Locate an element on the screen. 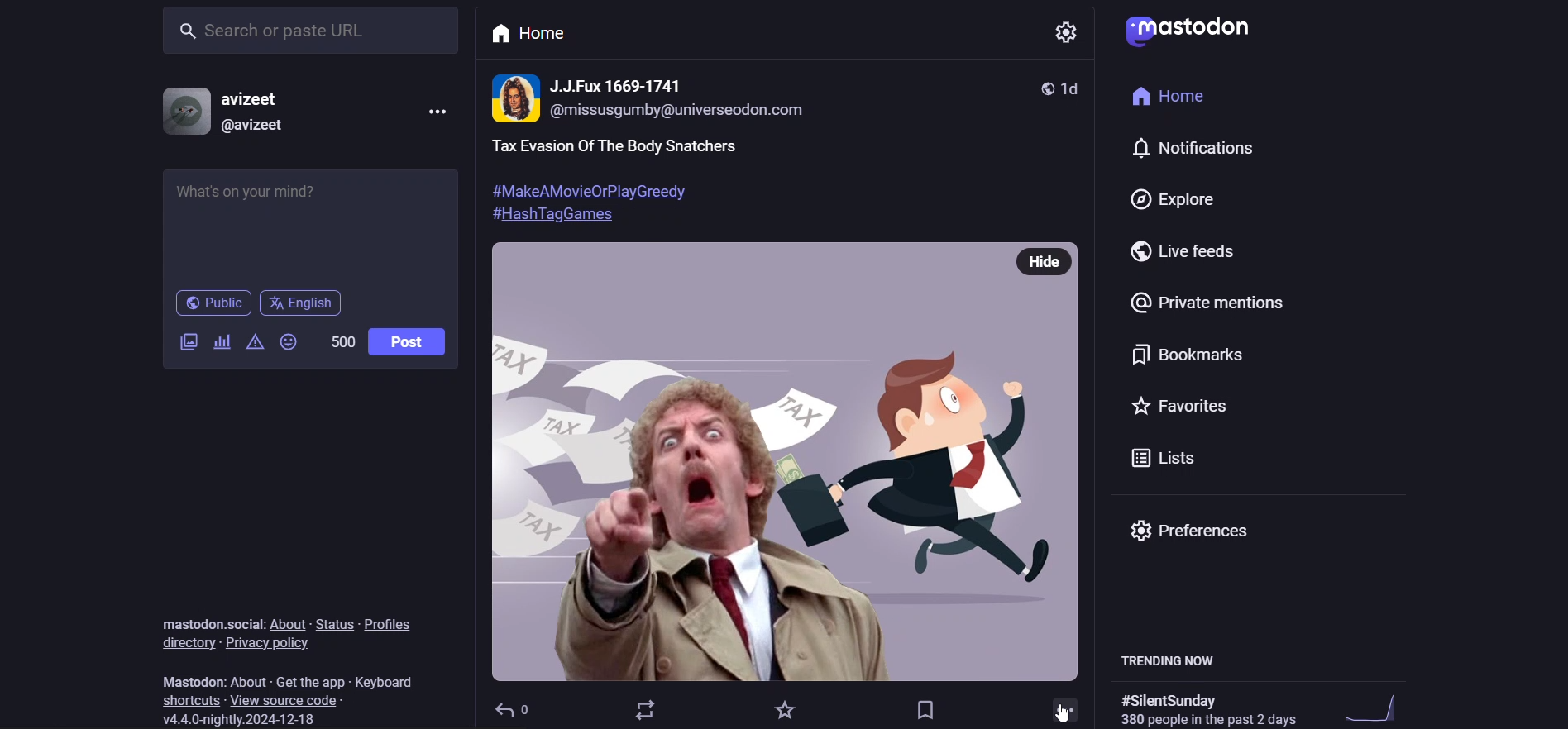  last modified is located at coordinates (1079, 86).